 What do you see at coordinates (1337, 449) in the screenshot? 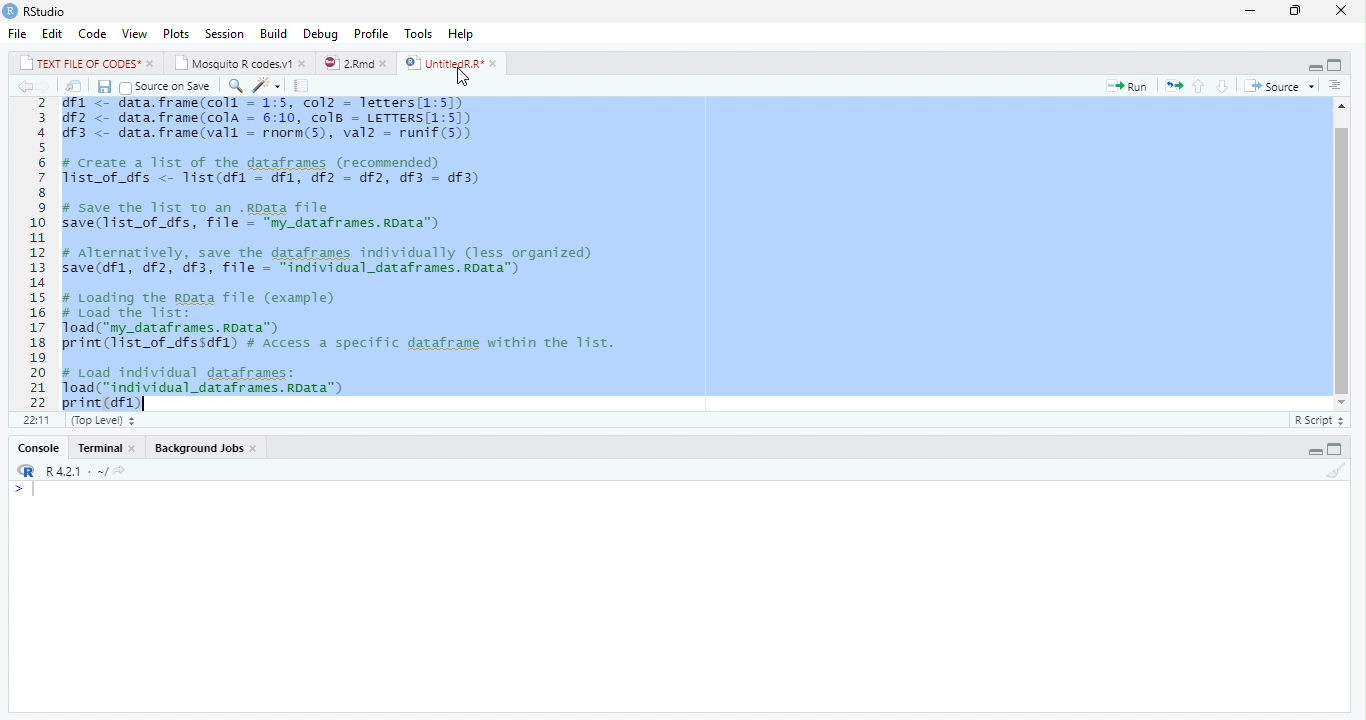
I see `Full Height` at bounding box center [1337, 449].